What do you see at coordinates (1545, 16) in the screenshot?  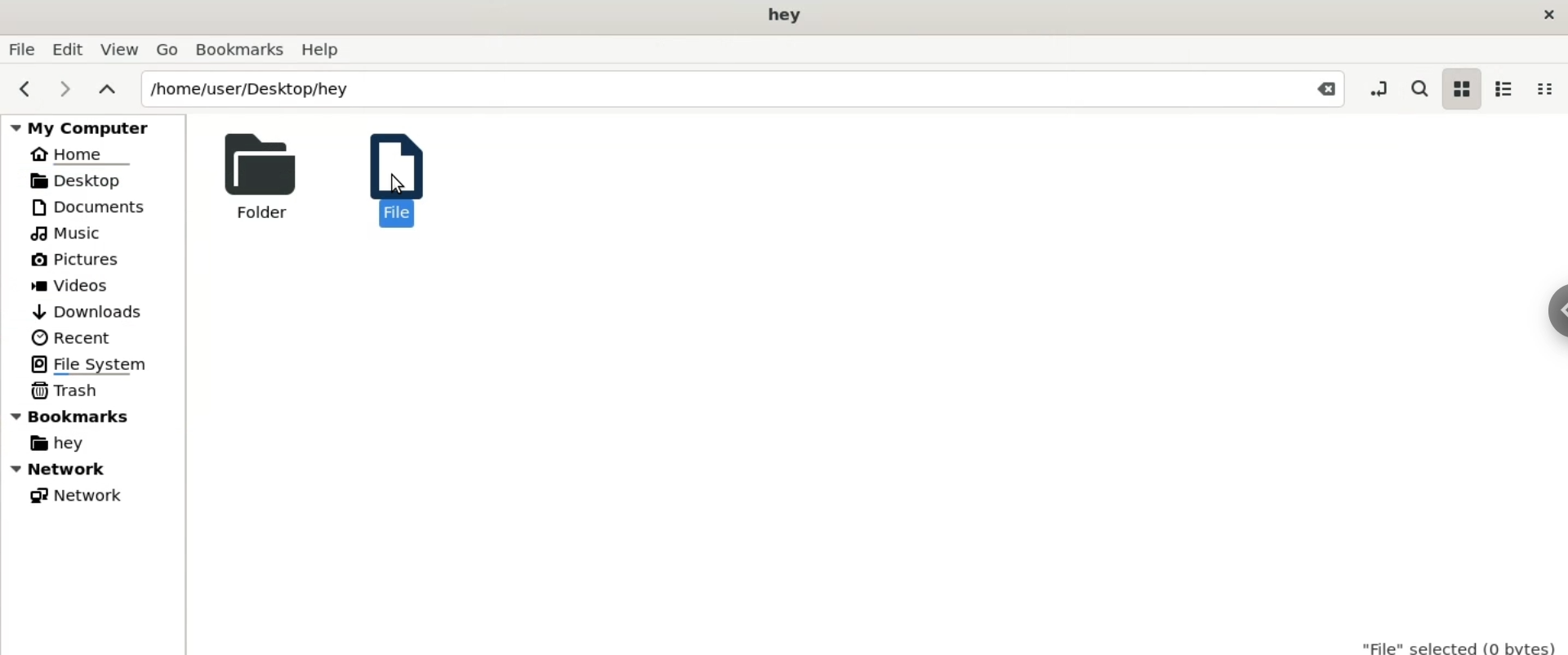 I see `close` at bounding box center [1545, 16].